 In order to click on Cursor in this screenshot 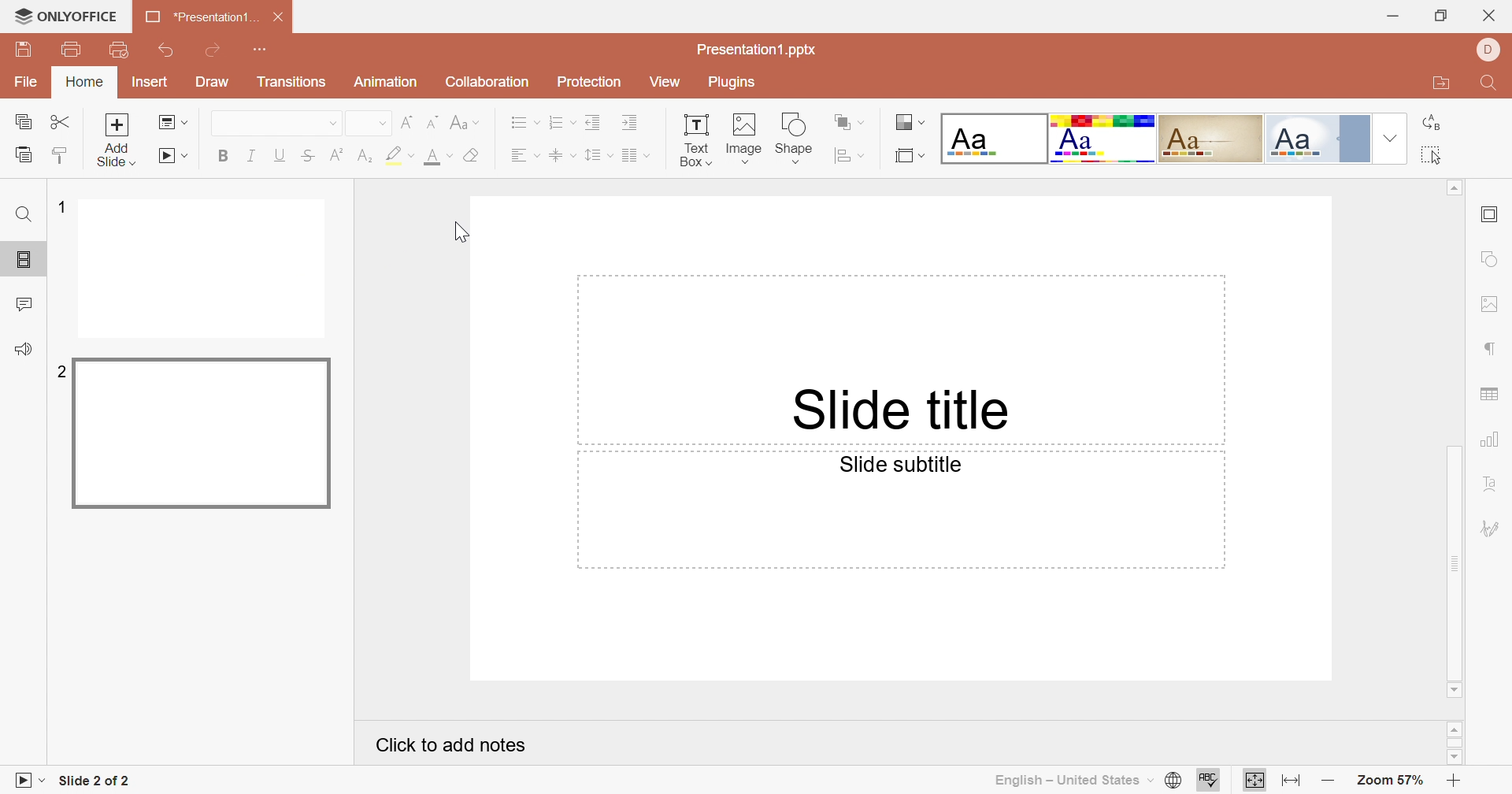, I will do `click(462, 235)`.